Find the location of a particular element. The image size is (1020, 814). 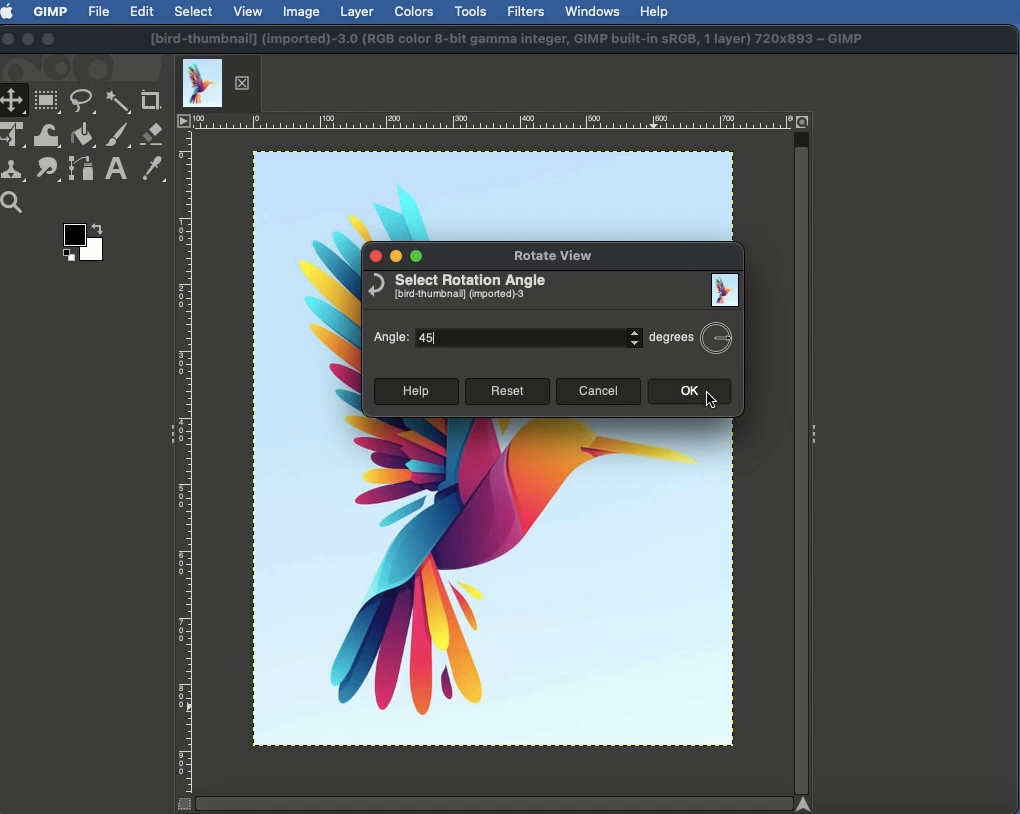

current Tab is located at coordinates (202, 81).